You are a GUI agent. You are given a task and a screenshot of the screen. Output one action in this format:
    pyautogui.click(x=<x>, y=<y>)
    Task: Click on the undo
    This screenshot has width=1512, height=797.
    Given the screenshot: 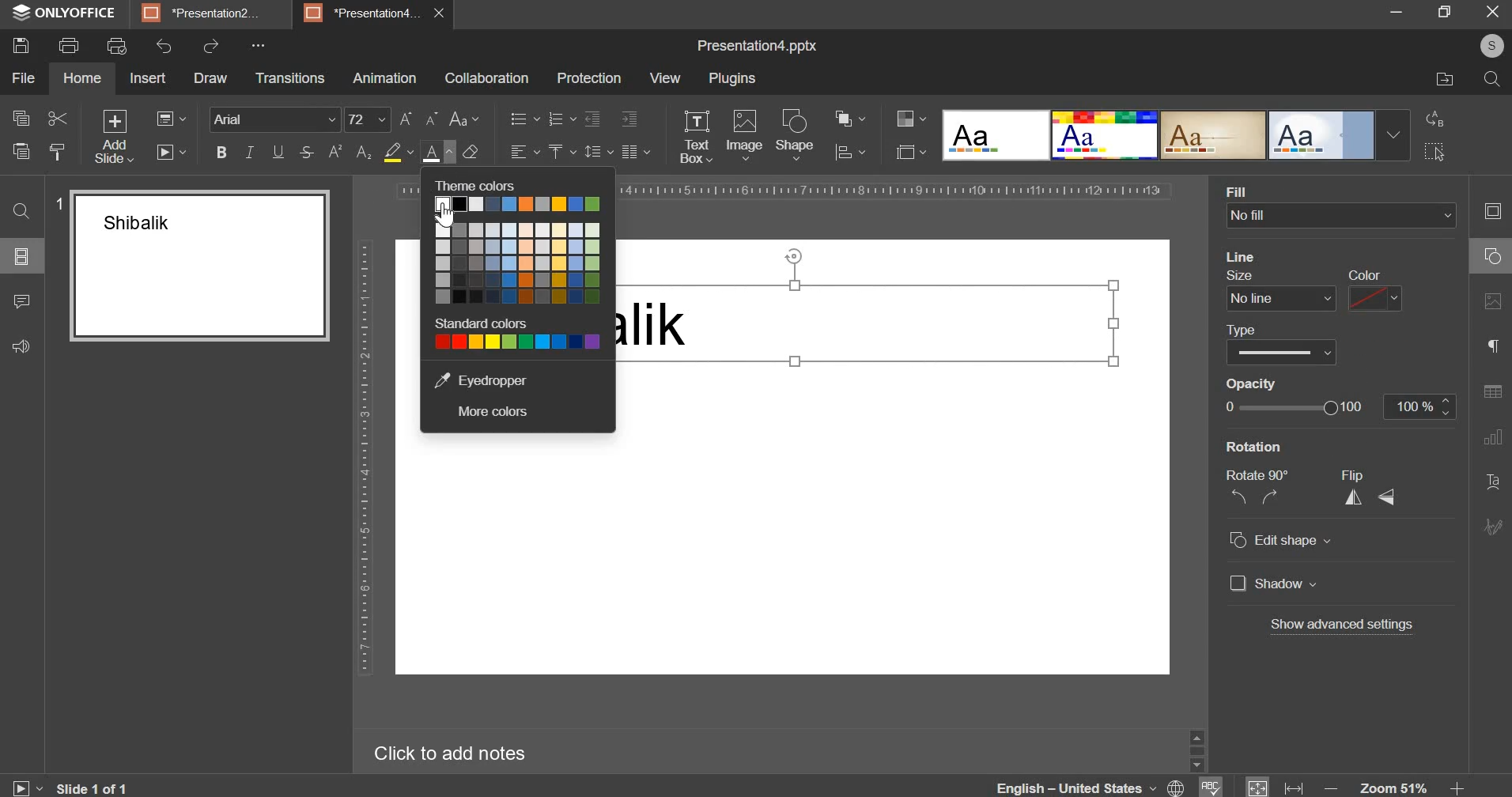 What is the action you would take?
    pyautogui.click(x=164, y=45)
    